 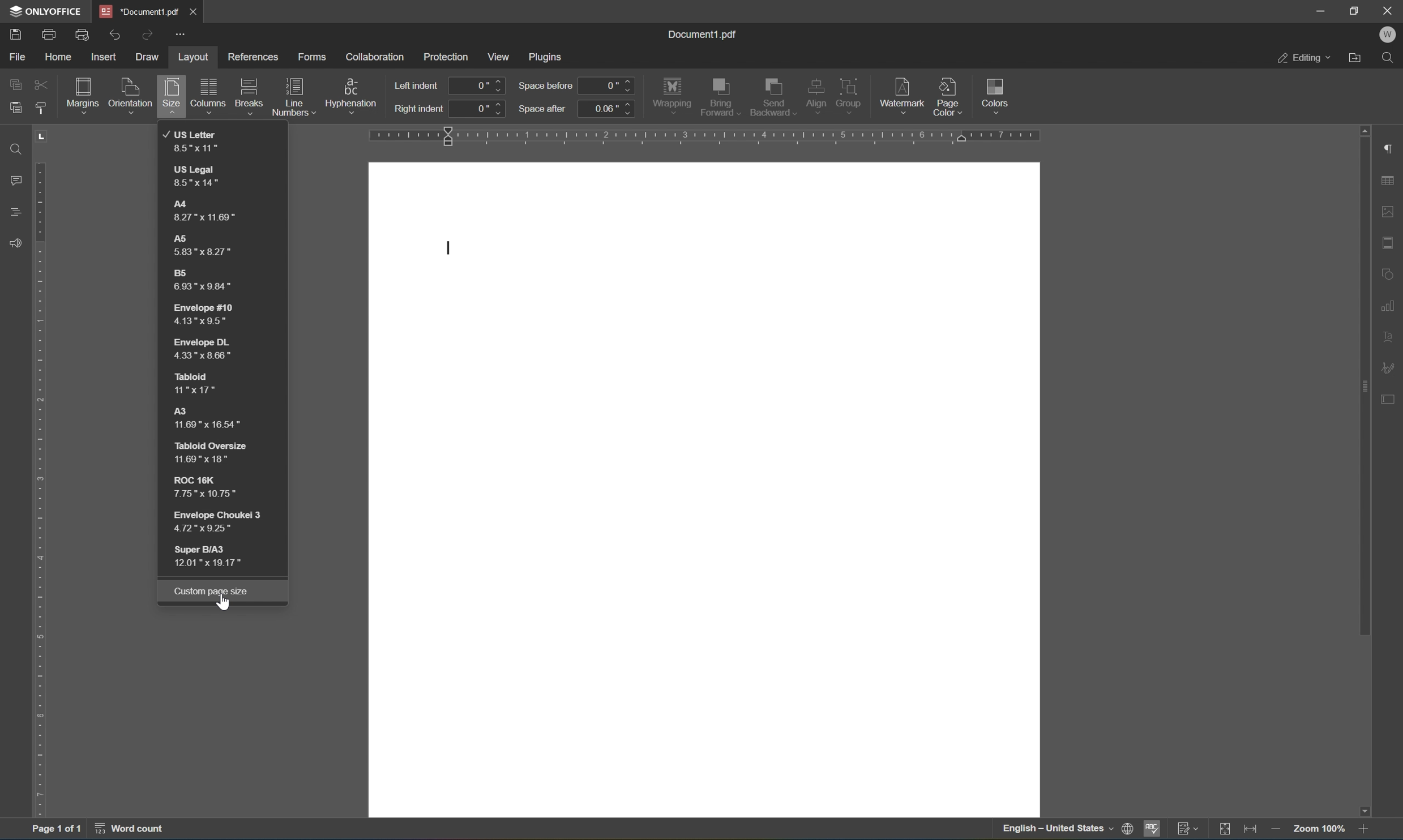 I want to click on US letter, so click(x=191, y=140).